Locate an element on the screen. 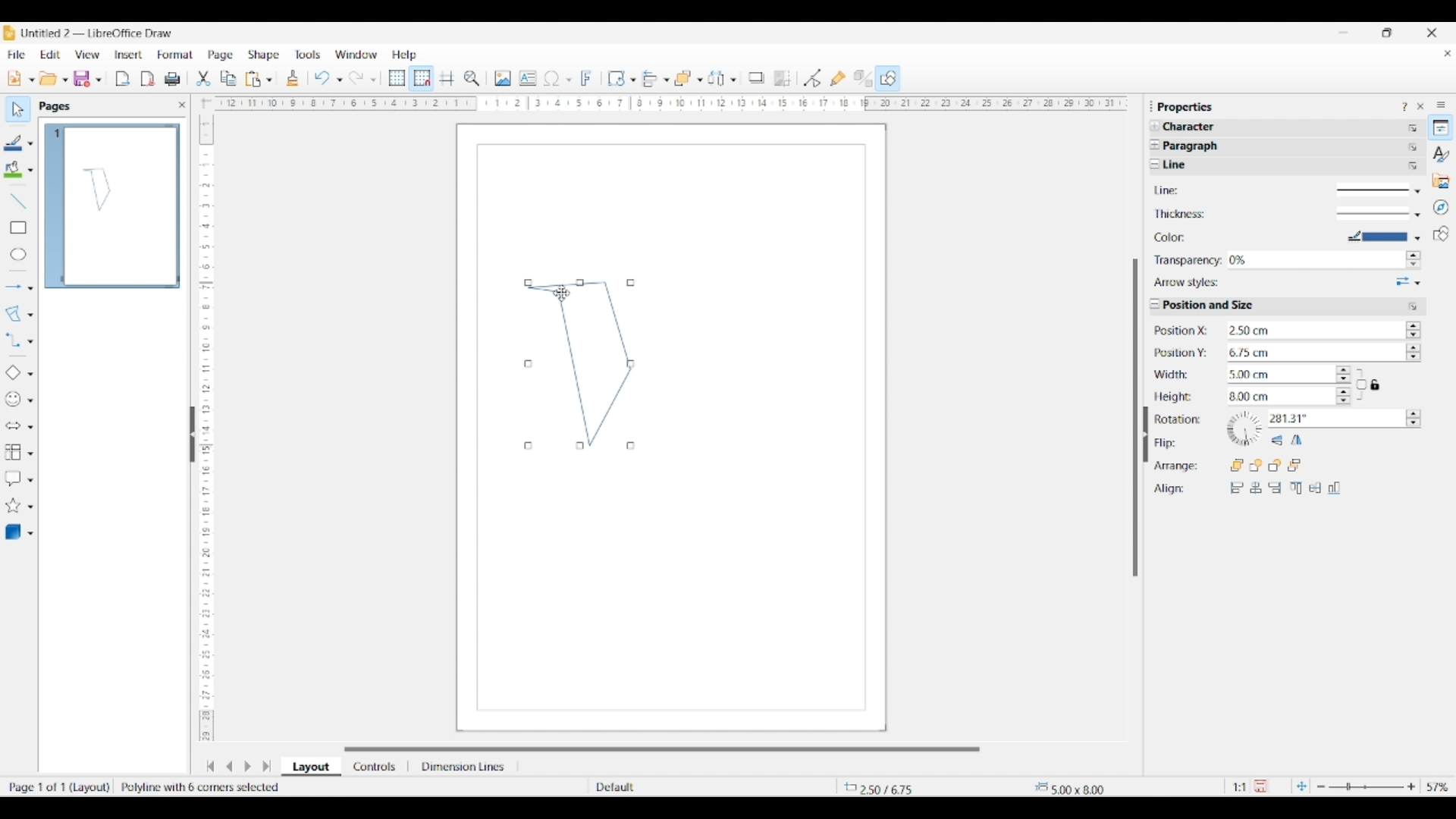 Image resolution: width=1456 pixels, height=819 pixels. Insert is located at coordinates (129, 55).